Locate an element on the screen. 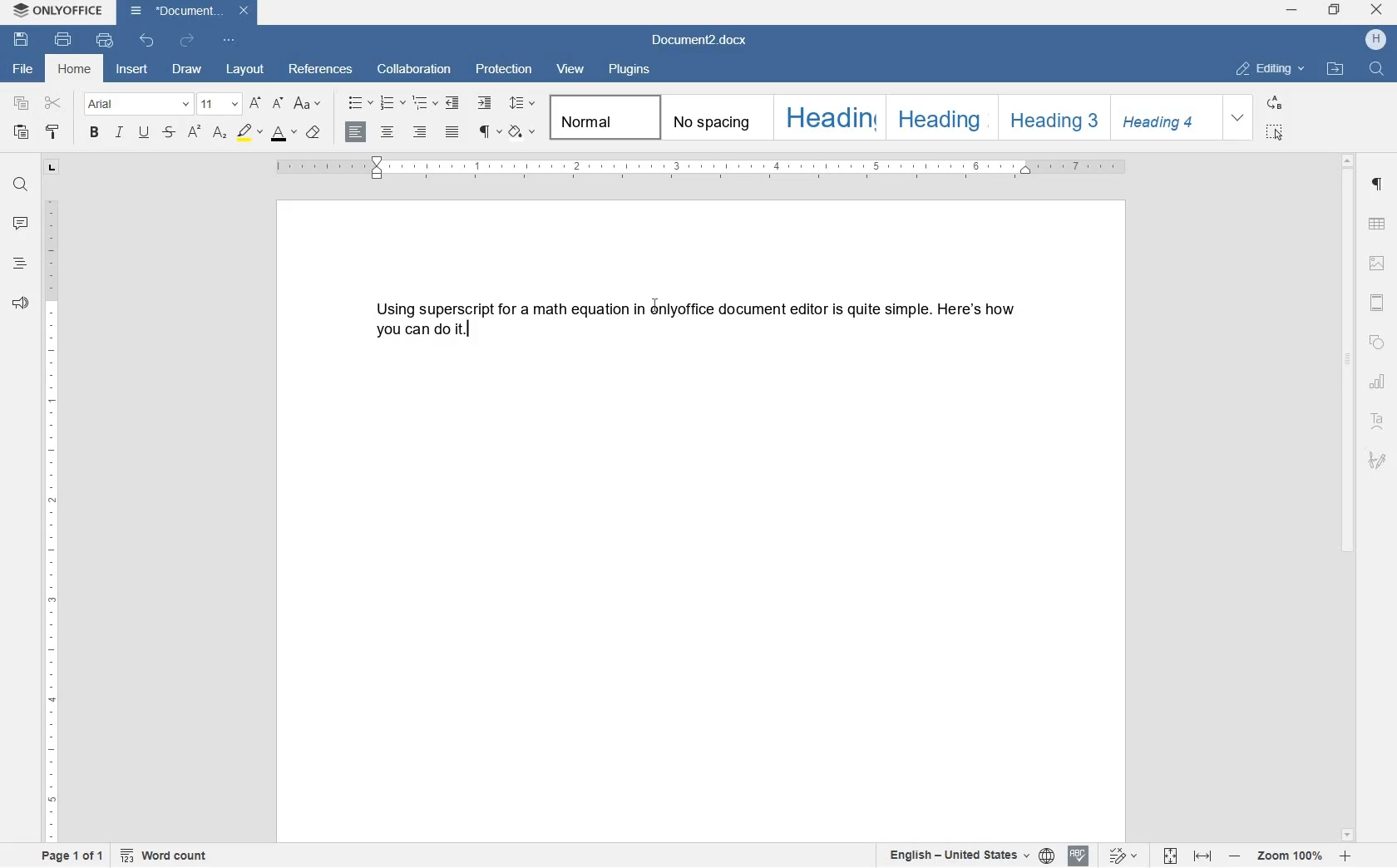 Image resolution: width=1397 pixels, height=868 pixels. Document2.docx is located at coordinates (700, 40).